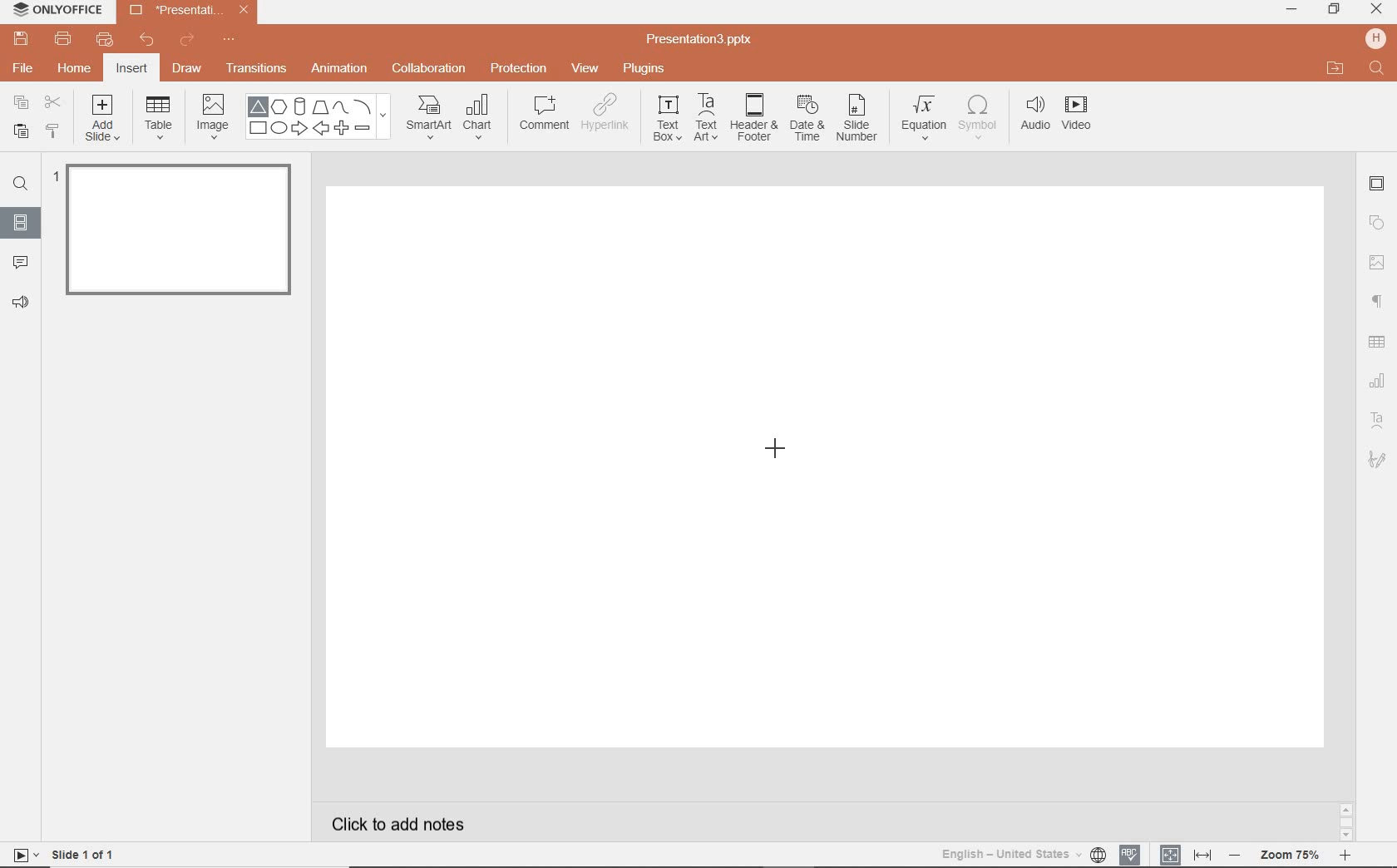 This screenshot has height=868, width=1397. I want to click on ANIMATION, so click(338, 70).